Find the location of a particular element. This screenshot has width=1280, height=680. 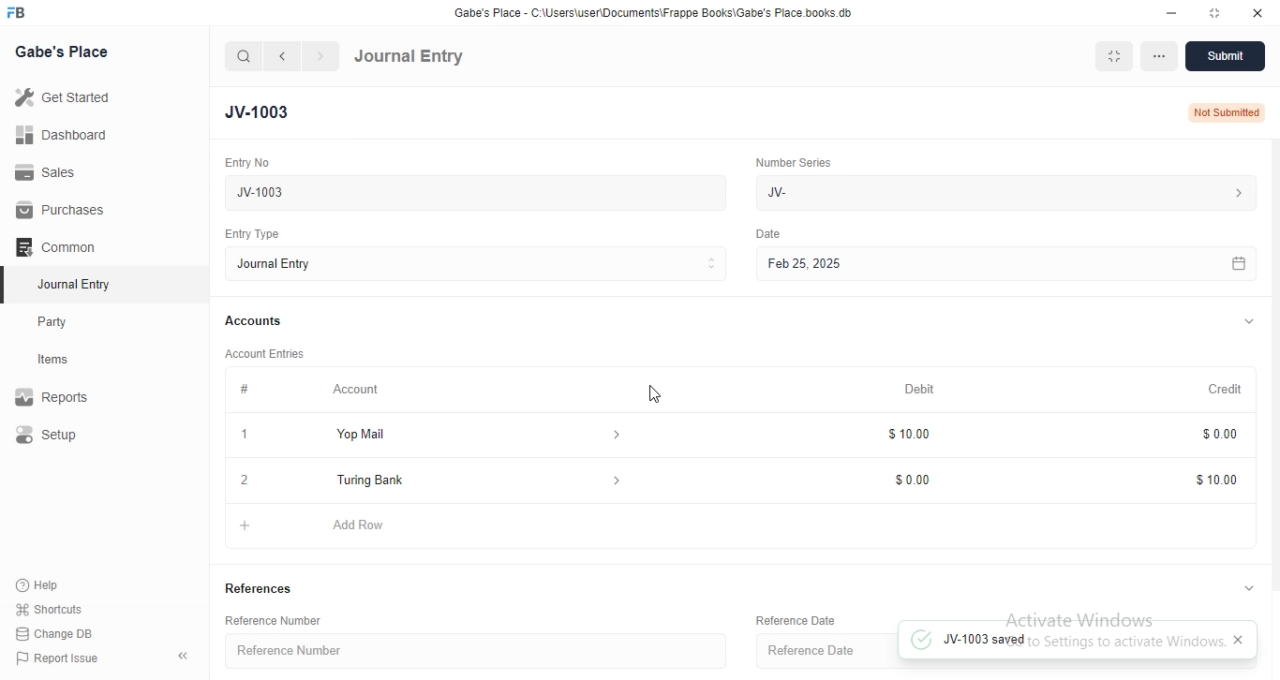

Journal Entry is located at coordinates (410, 57).